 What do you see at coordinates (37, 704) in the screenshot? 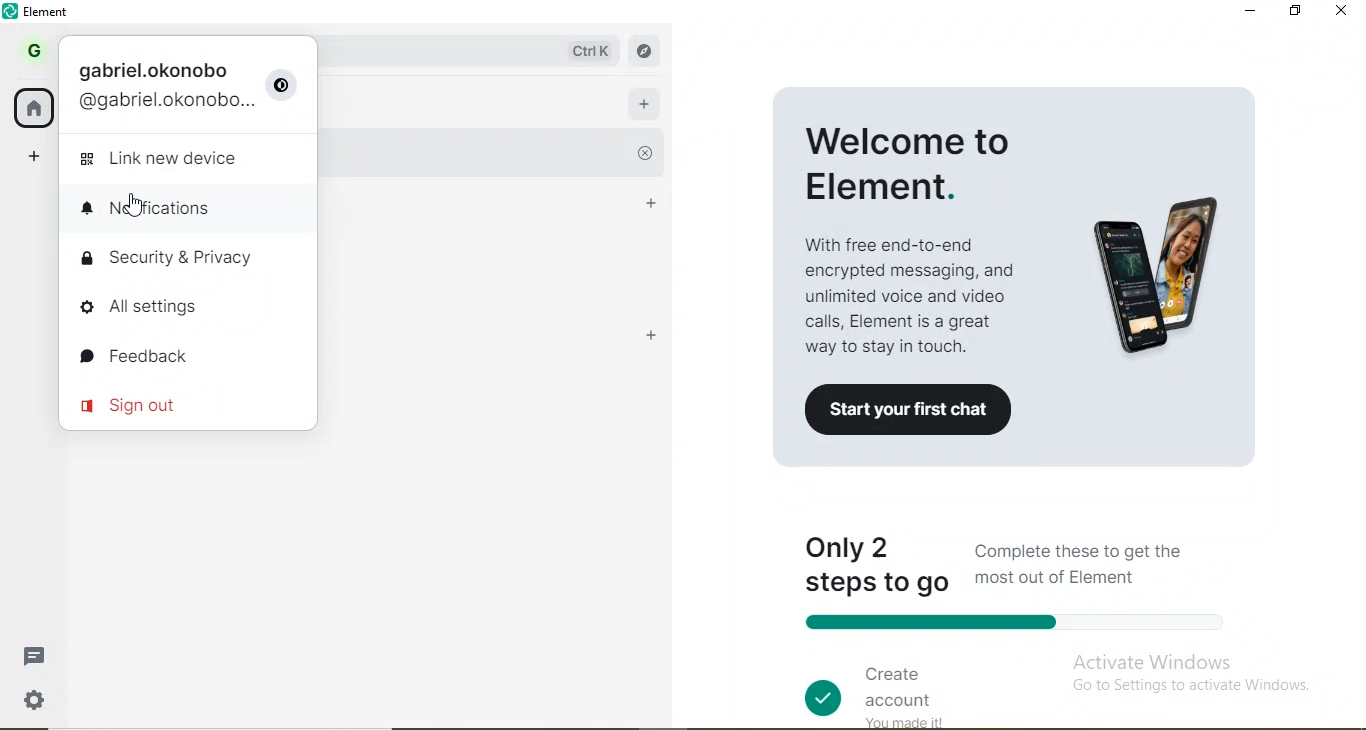
I see `settings` at bounding box center [37, 704].